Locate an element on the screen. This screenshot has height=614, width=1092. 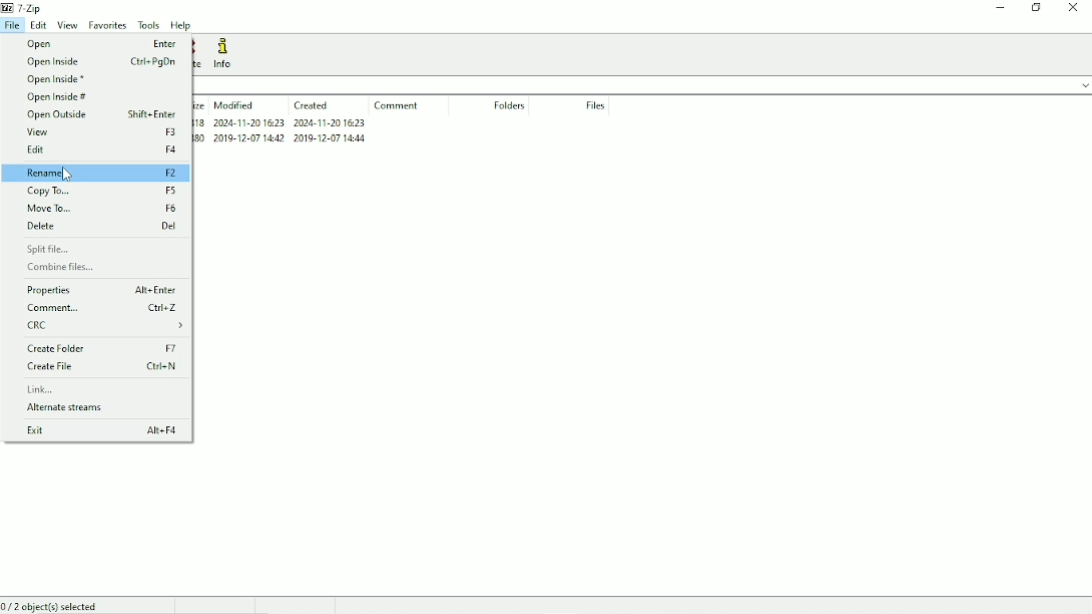
Files is located at coordinates (596, 107).